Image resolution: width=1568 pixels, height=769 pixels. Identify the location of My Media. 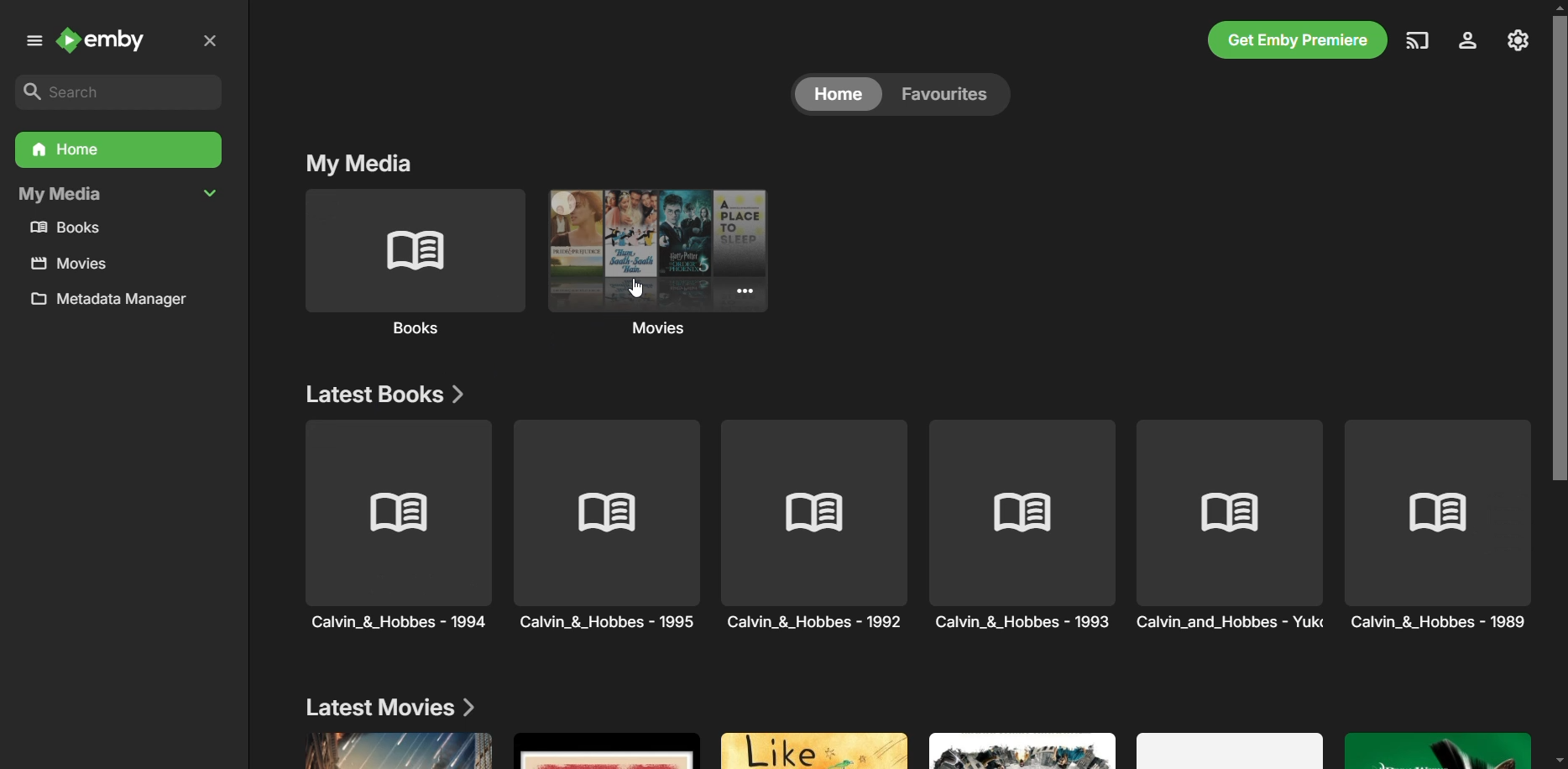
(368, 165).